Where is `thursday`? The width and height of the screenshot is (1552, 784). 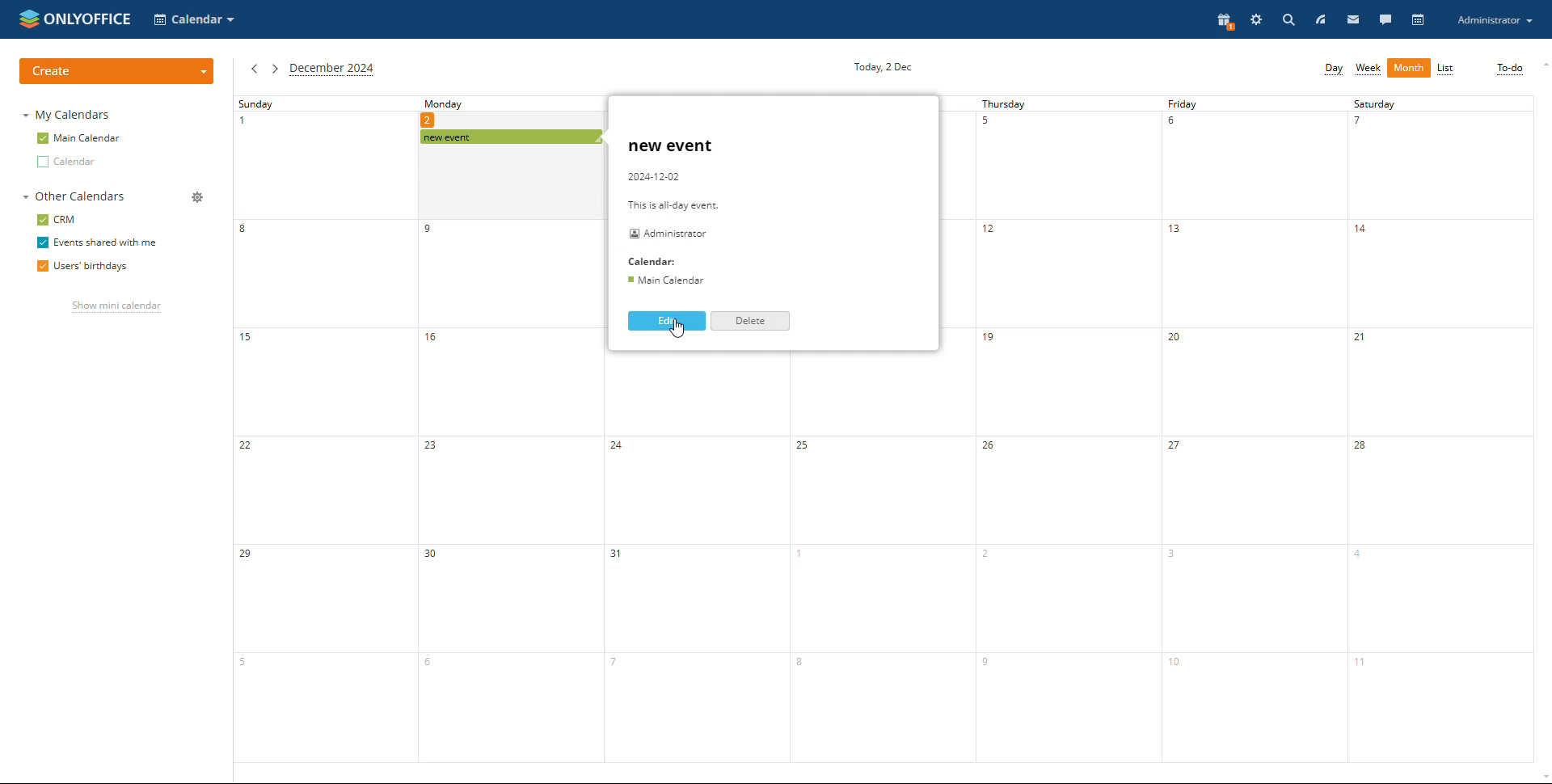 thursday is located at coordinates (1065, 429).